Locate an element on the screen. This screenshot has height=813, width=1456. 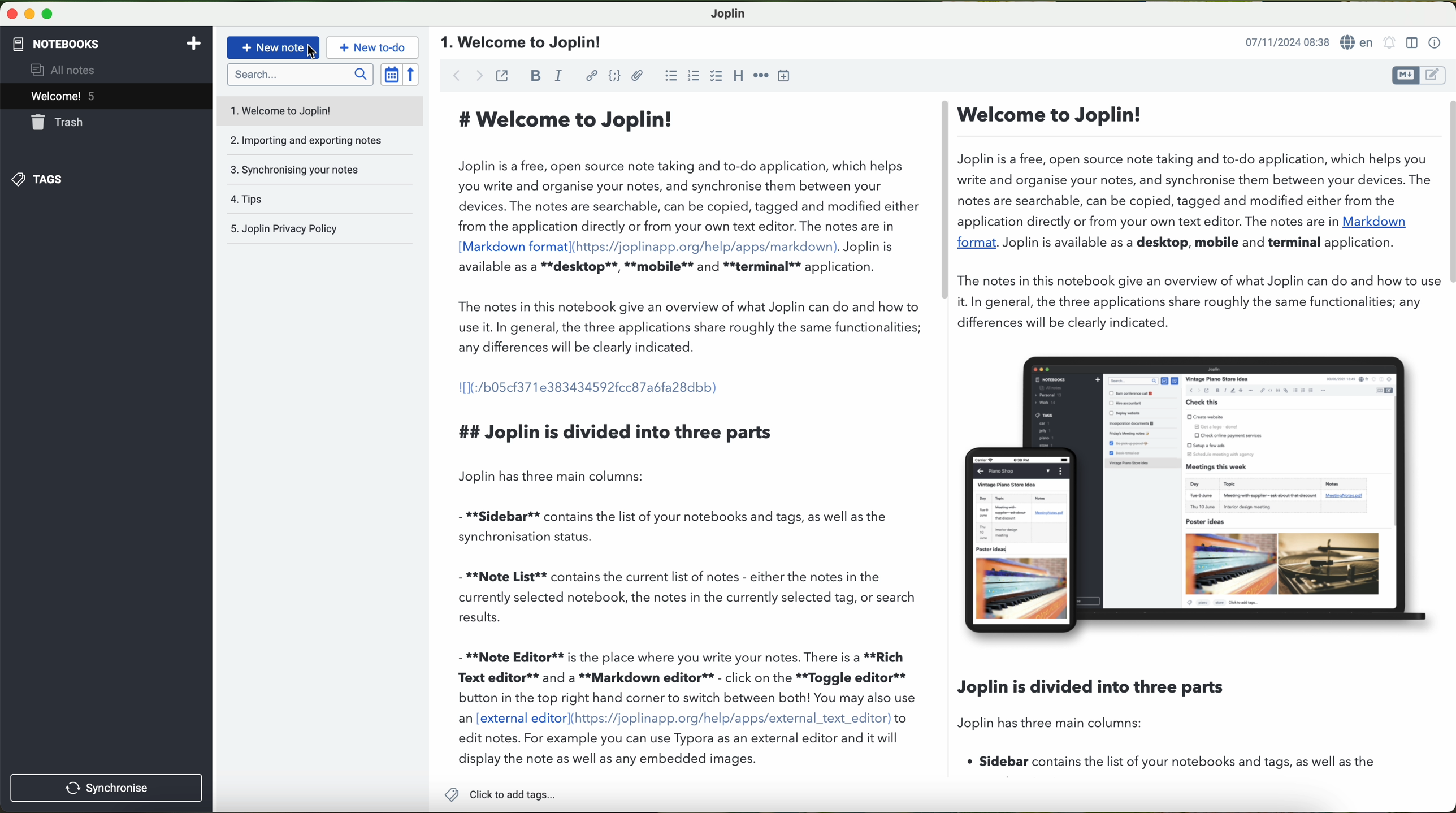
reverse sort order is located at coordinates (412, 74).